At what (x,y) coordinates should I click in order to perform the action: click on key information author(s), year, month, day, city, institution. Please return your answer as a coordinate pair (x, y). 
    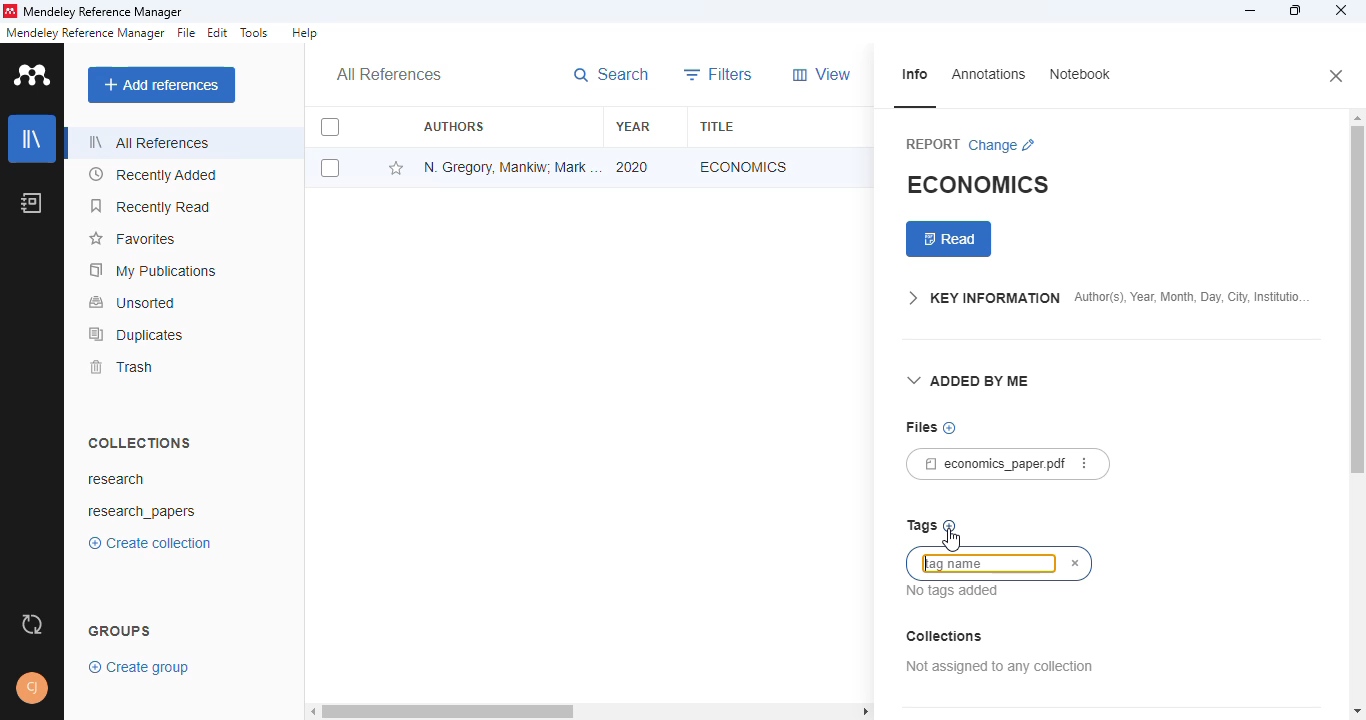
    Looking at the image, I should click on (1108, 300).